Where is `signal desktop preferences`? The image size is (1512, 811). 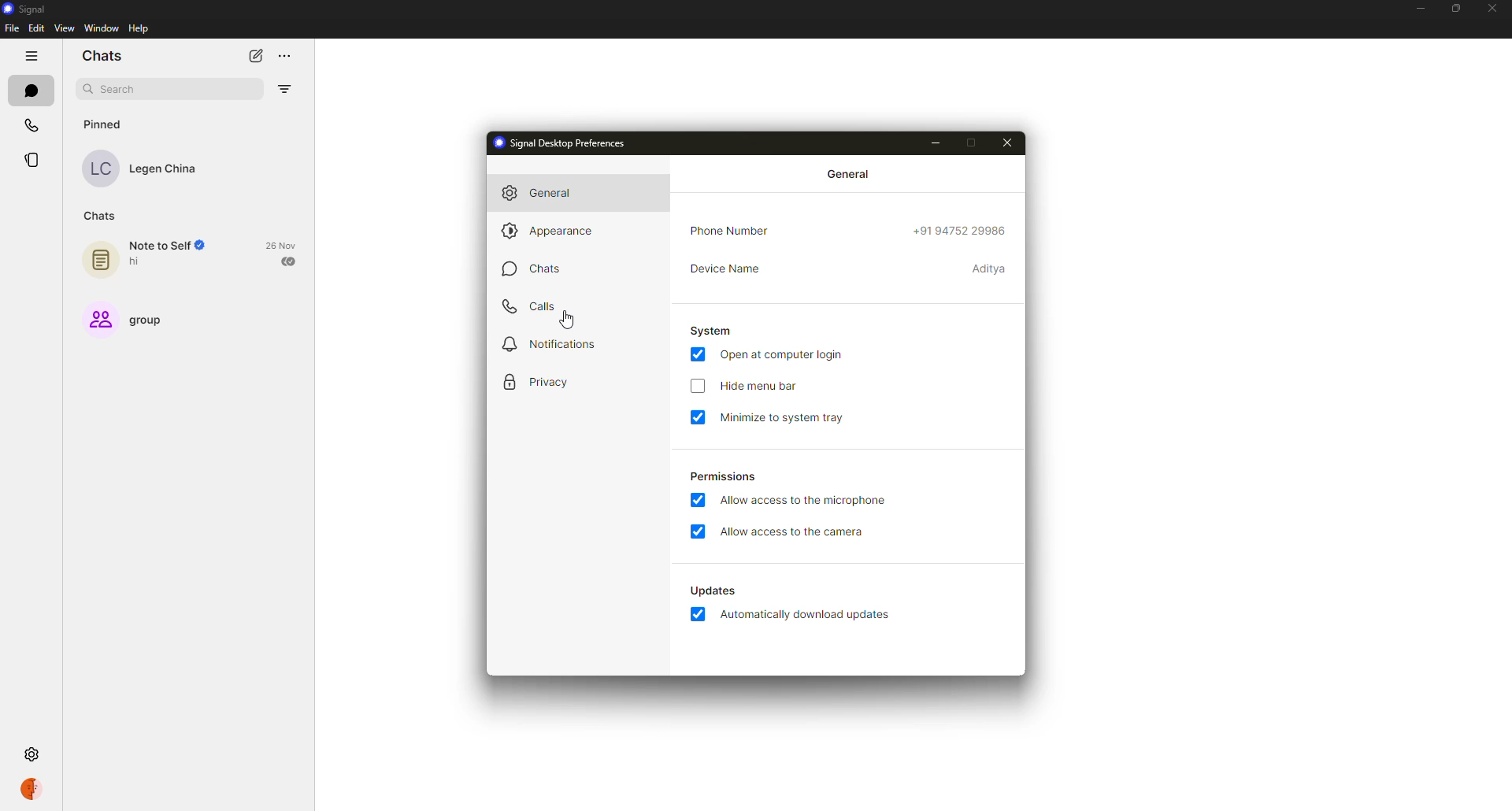
signal desktop preferences is located at coordinates (564, 143).